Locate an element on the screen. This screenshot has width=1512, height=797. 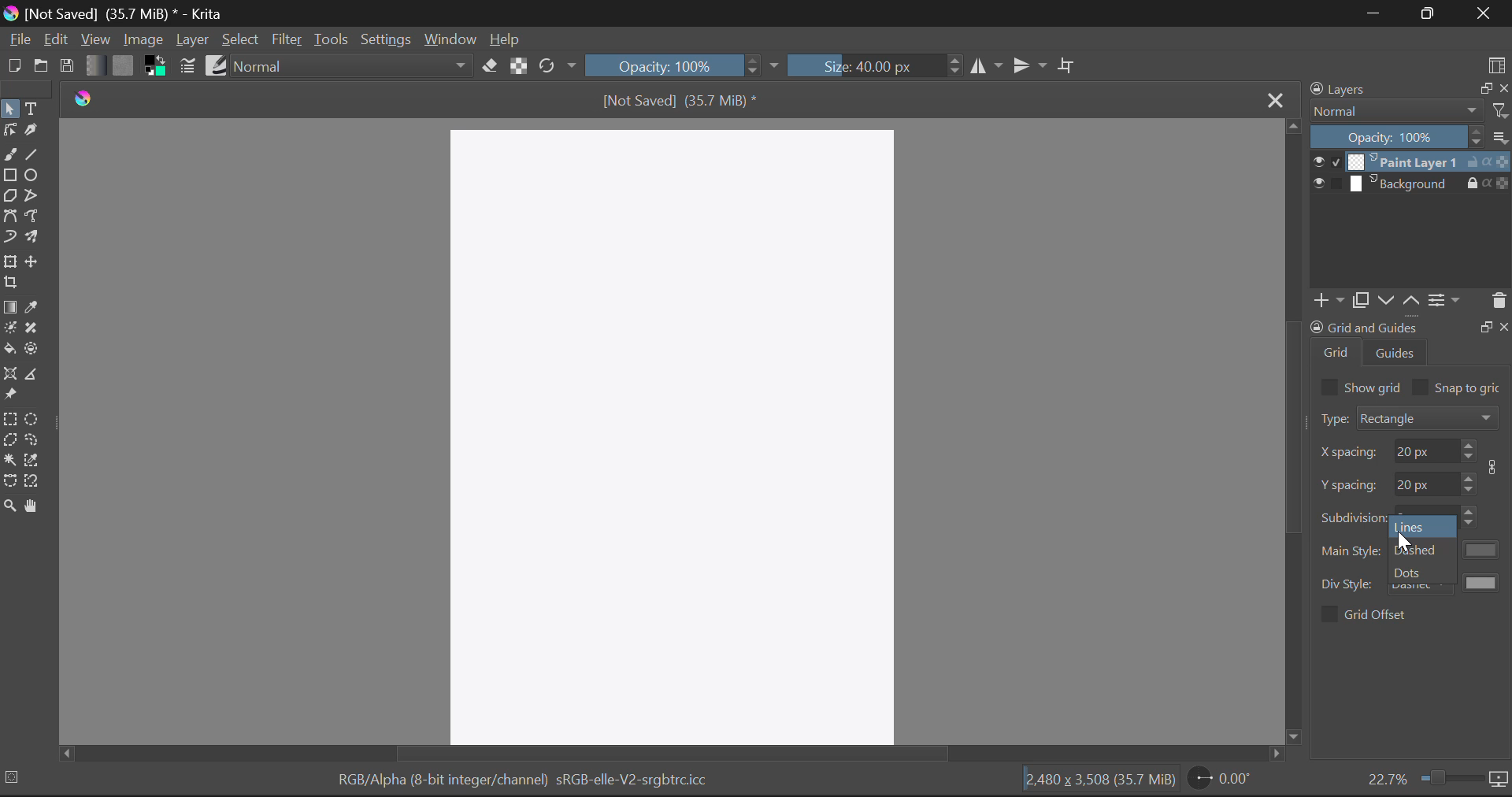
spacing x is located at coordinates (1424, 450).